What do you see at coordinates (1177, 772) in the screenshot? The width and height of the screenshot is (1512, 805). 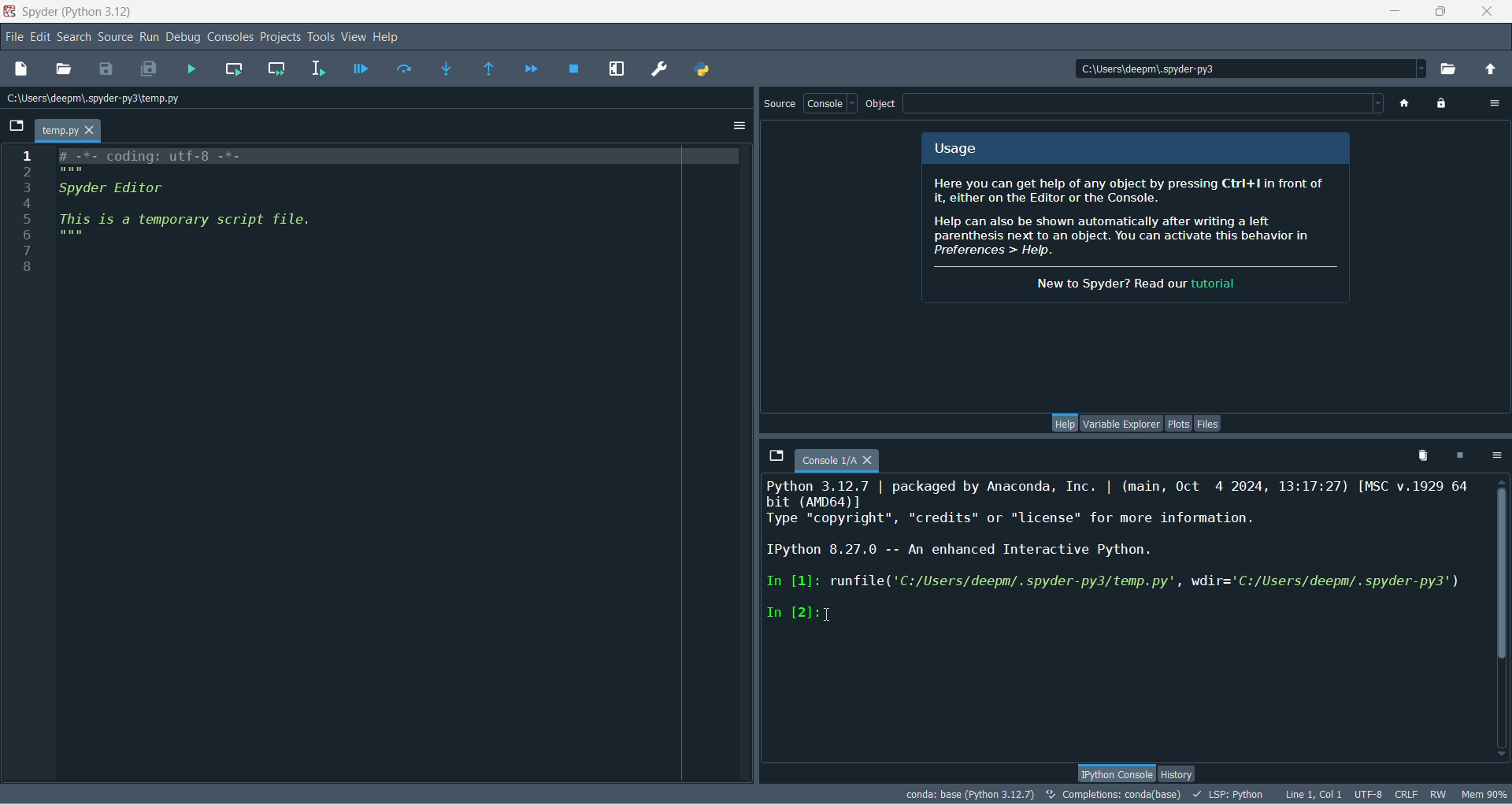 I see `history` at bounding box center [1177, 772].